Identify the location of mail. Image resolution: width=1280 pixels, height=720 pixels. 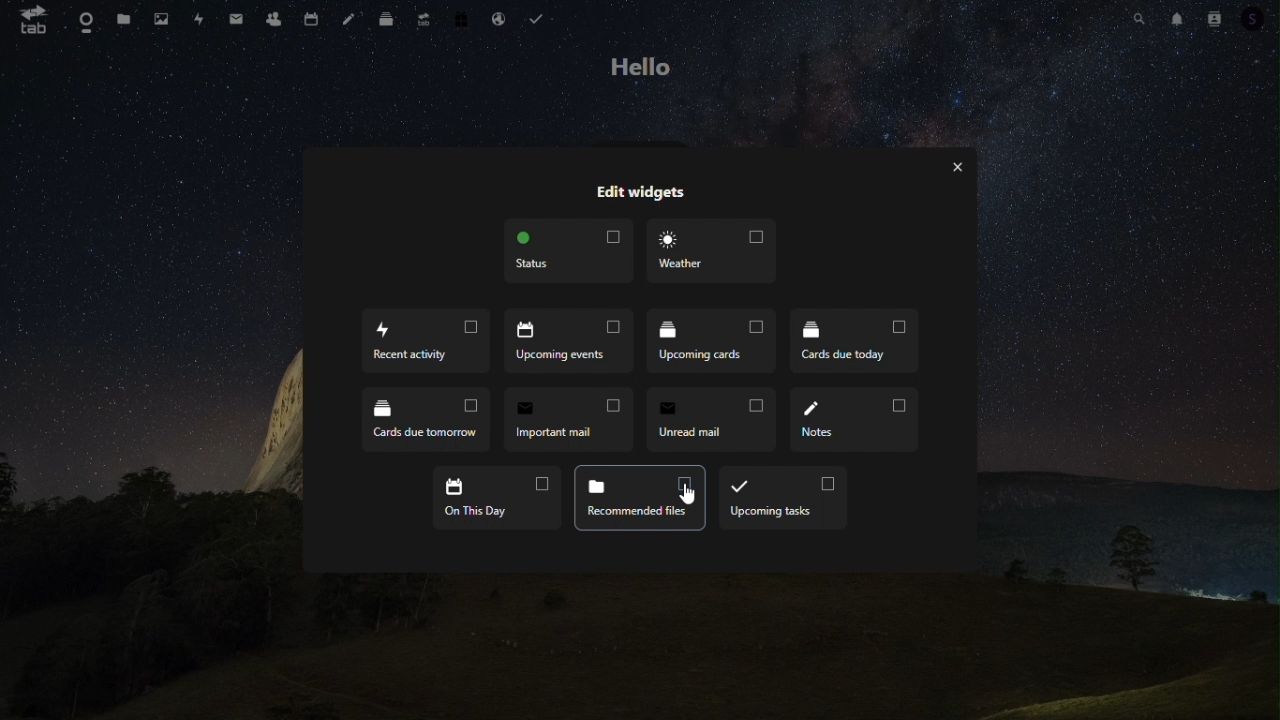
(236, 17).